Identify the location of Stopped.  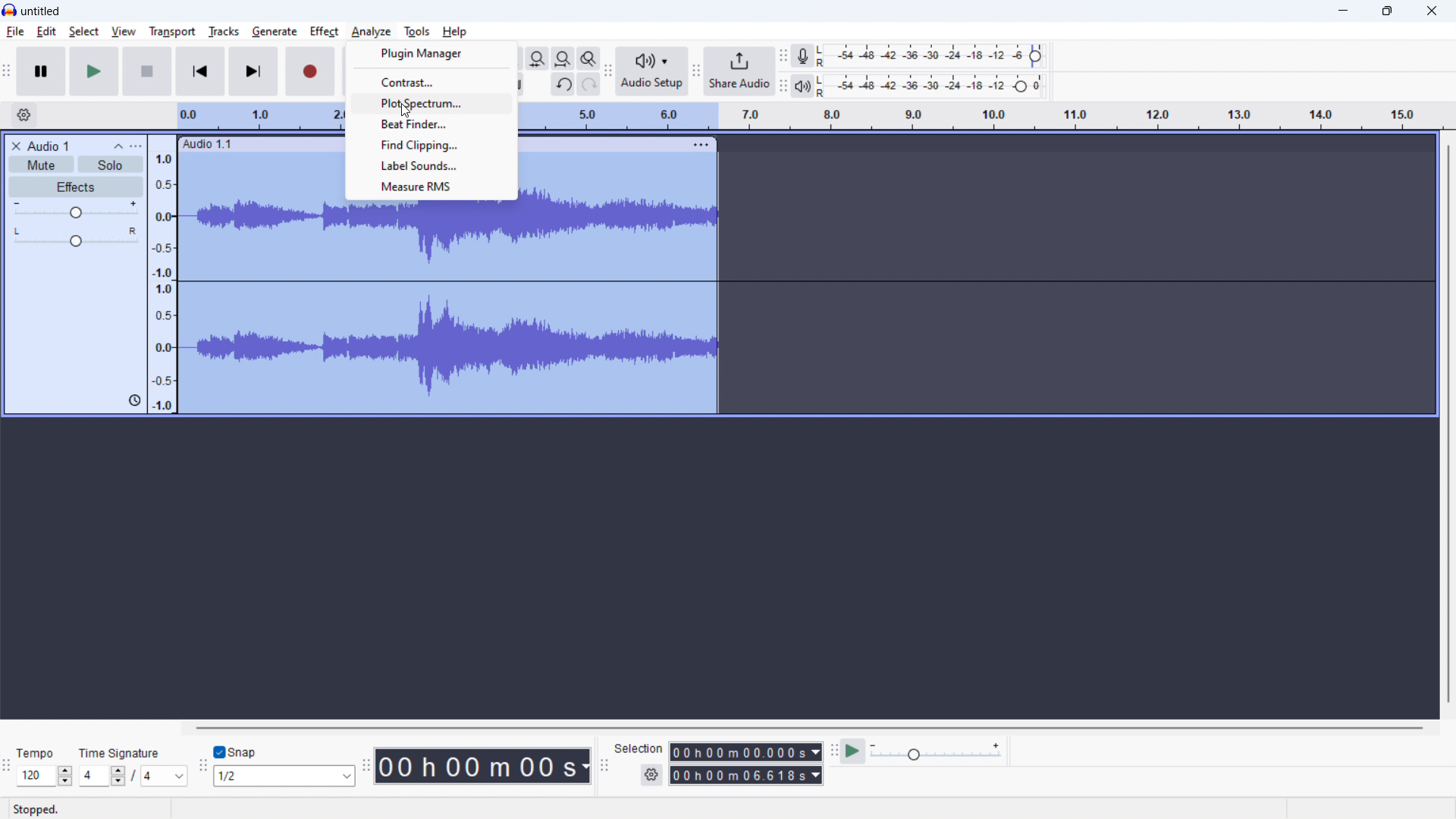
(41, 809).